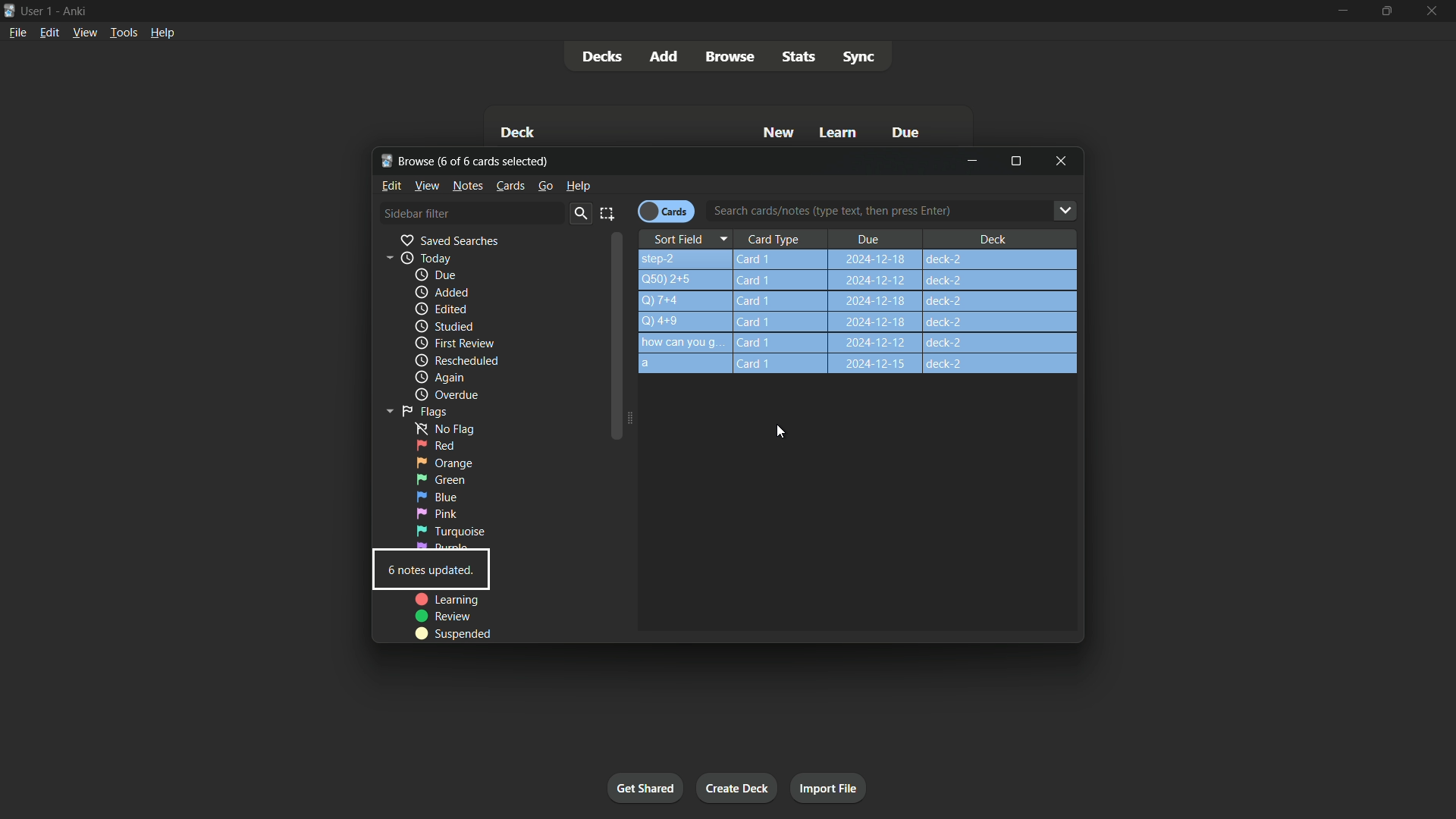 This screenshot has width=1456, height=819. Describe the element at coordinates (436, 276) in the screenshot. I see `due` at that location.